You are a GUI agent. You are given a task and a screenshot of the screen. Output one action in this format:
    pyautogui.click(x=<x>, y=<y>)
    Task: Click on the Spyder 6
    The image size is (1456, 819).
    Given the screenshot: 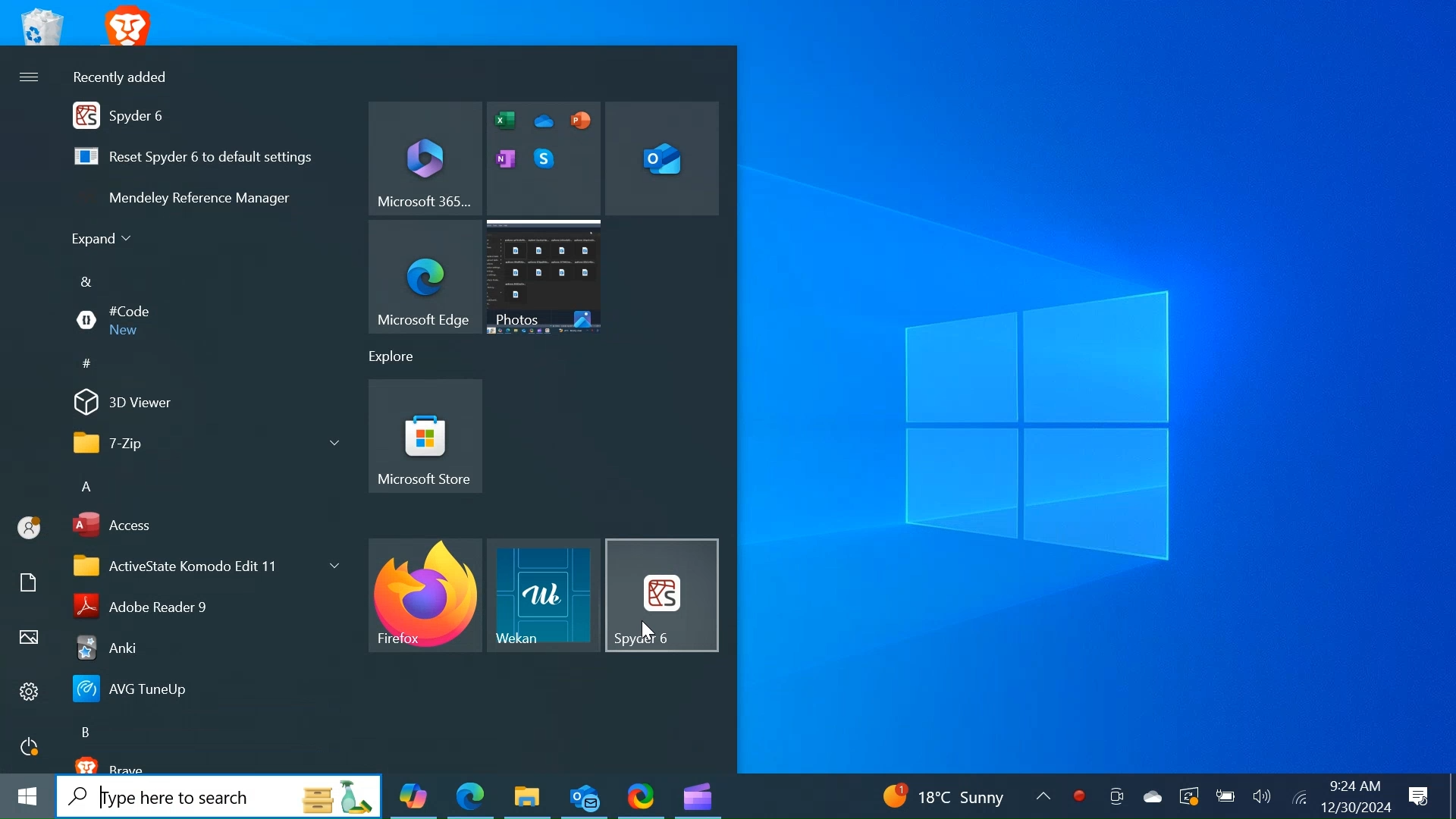 What is the action you would take?
    pyautogui.click(x=207, y=115)
    